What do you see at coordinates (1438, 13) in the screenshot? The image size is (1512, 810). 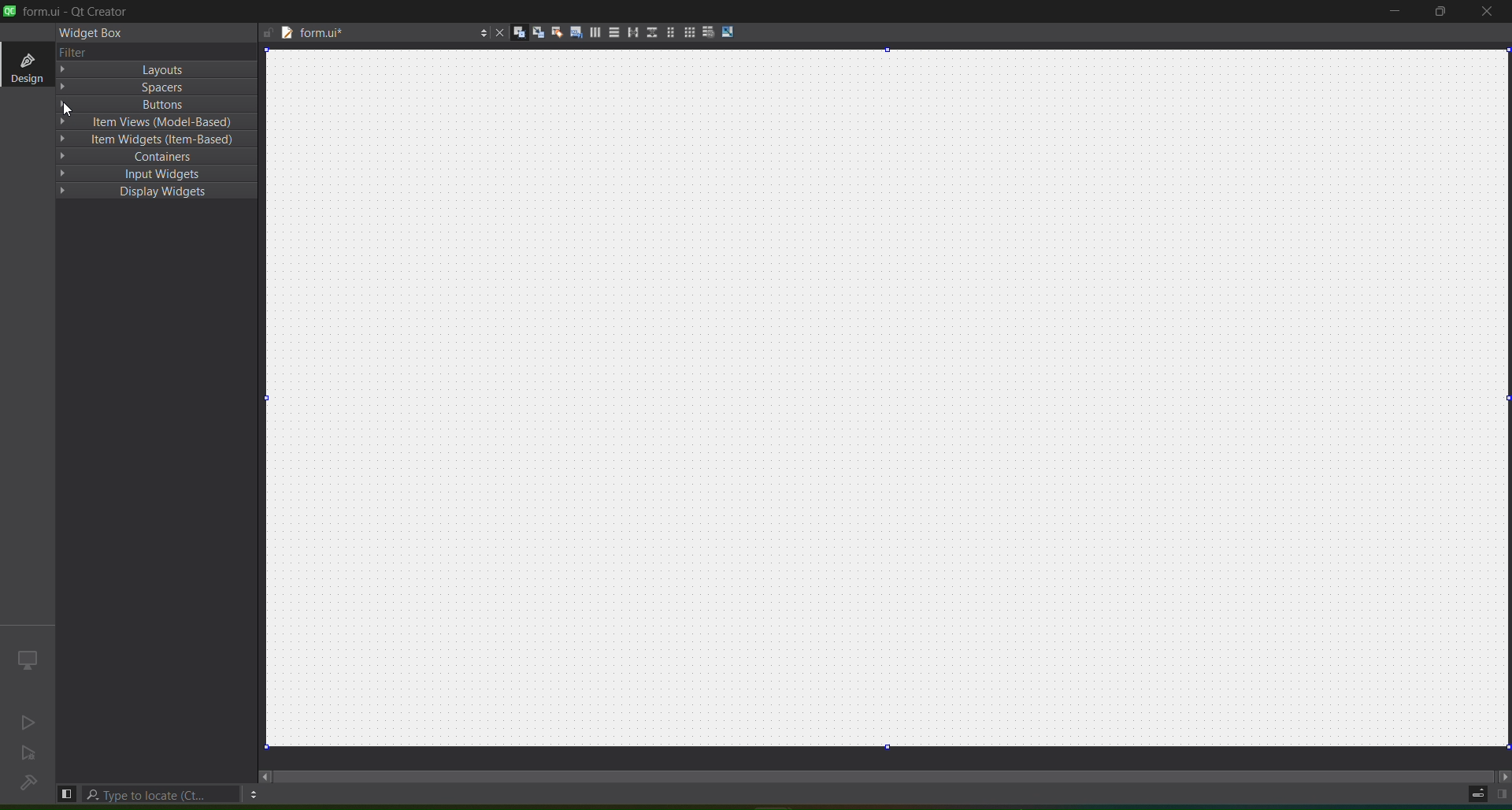 I see `maximize` at bounding box center [1438, 13].